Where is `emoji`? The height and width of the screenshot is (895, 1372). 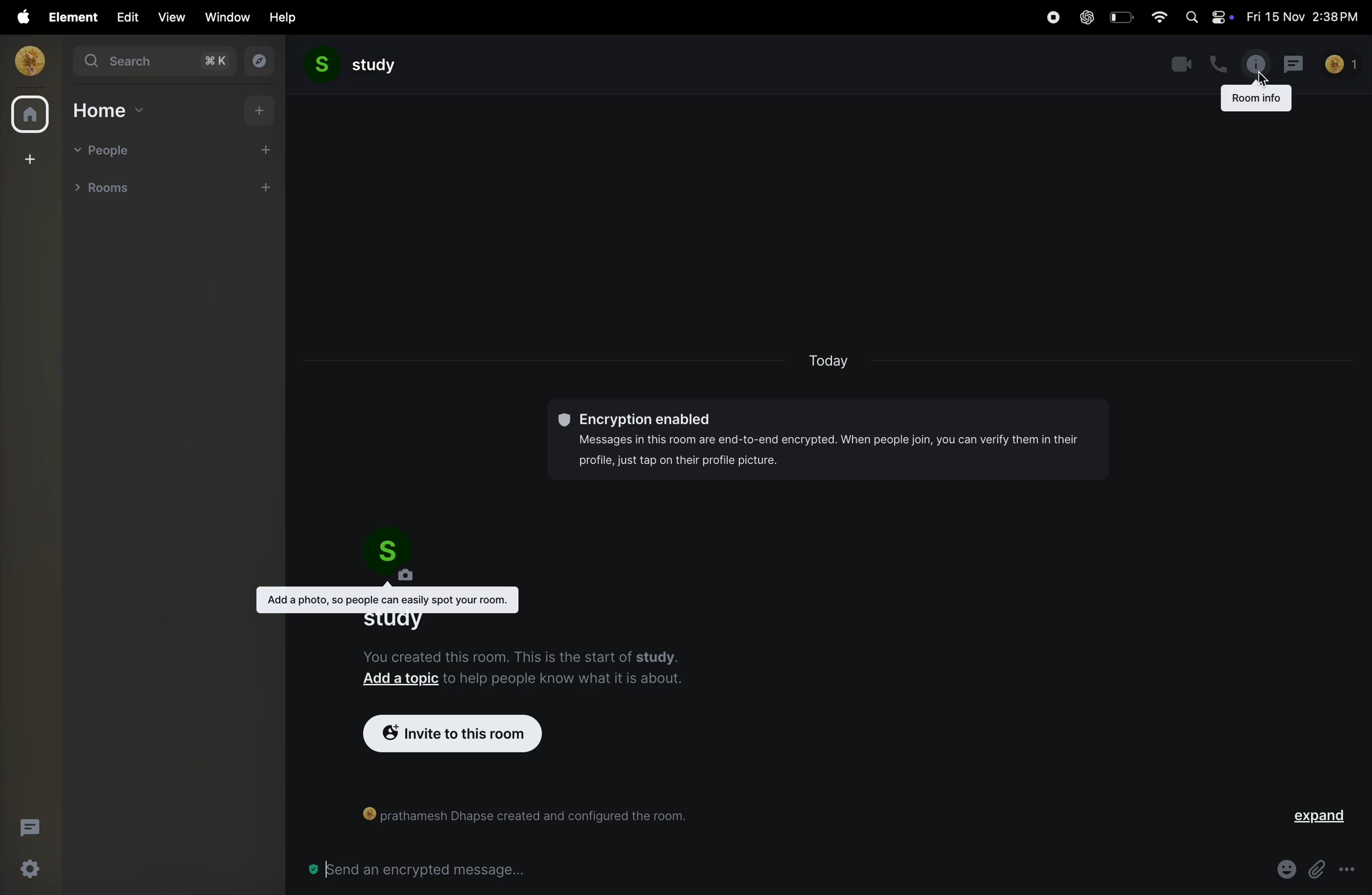
emoji is located at coordinates (1286, 866).